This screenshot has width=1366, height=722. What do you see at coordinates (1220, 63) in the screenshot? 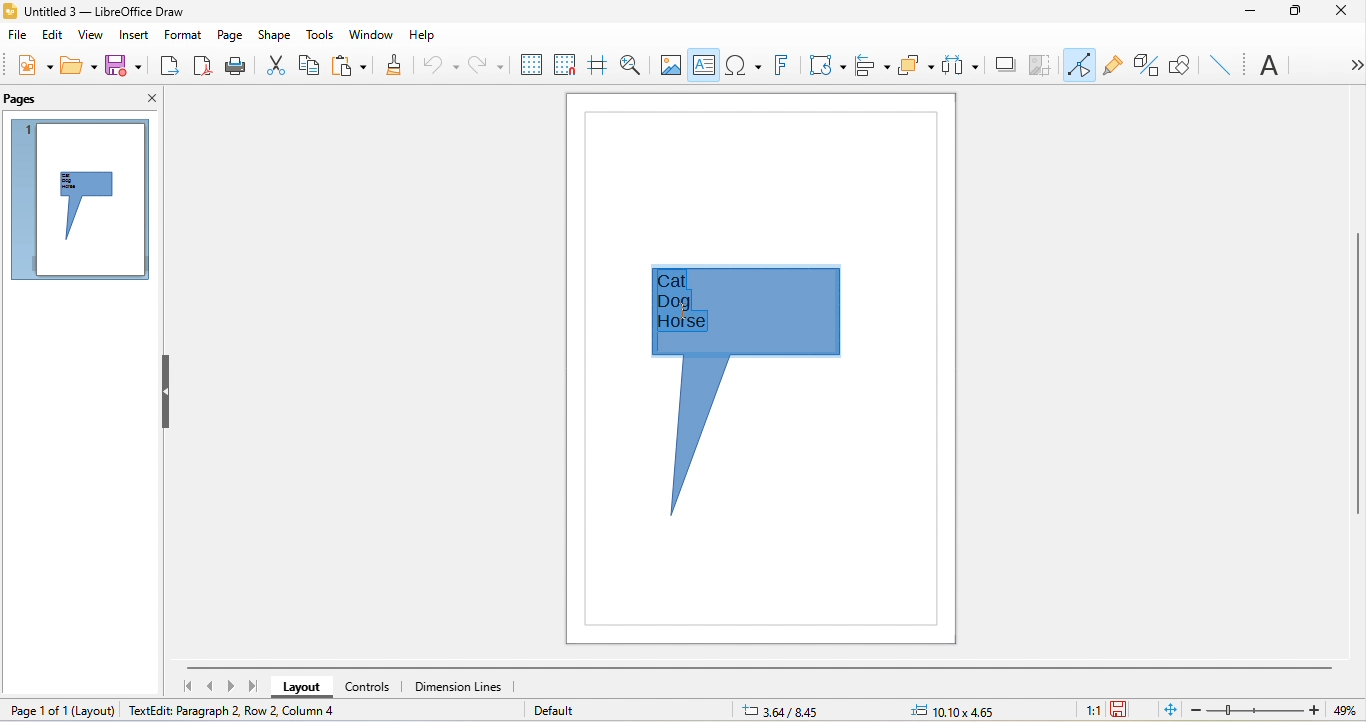
I see `insert line` at bounding box center [1220, 63].